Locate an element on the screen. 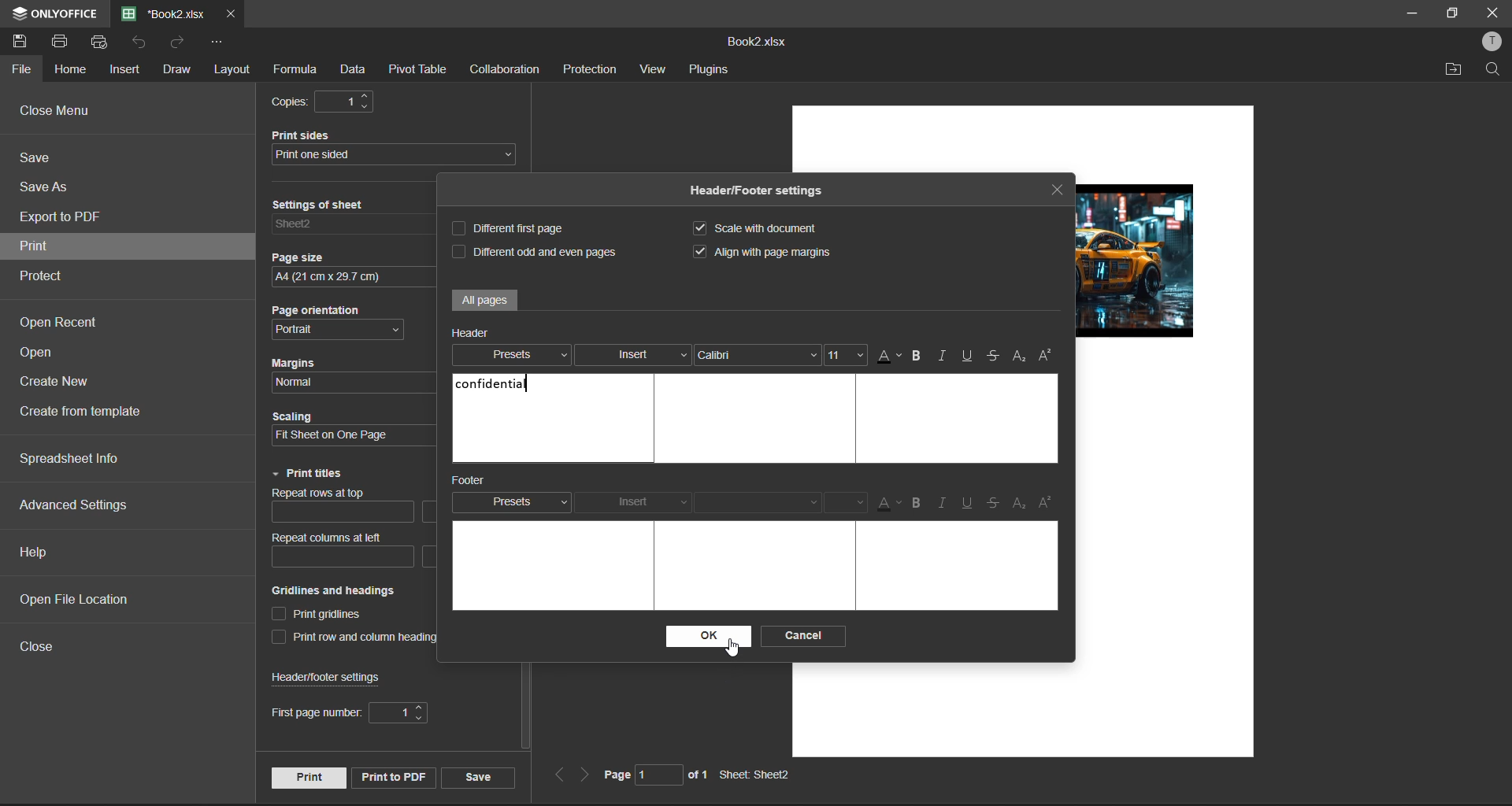  file is located at coordinates (20, 69).